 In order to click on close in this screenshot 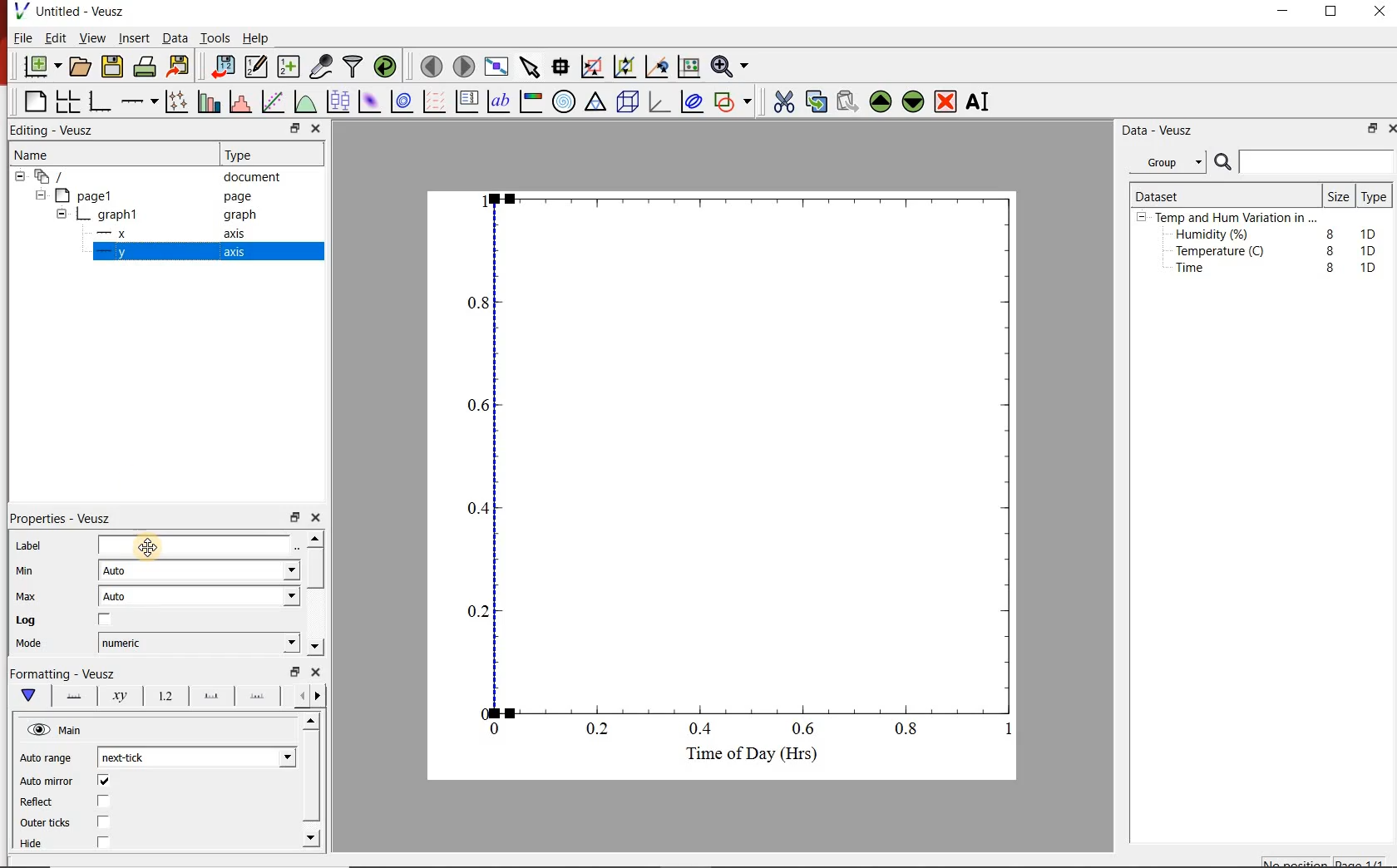, I will do `click(1389, 128)`.